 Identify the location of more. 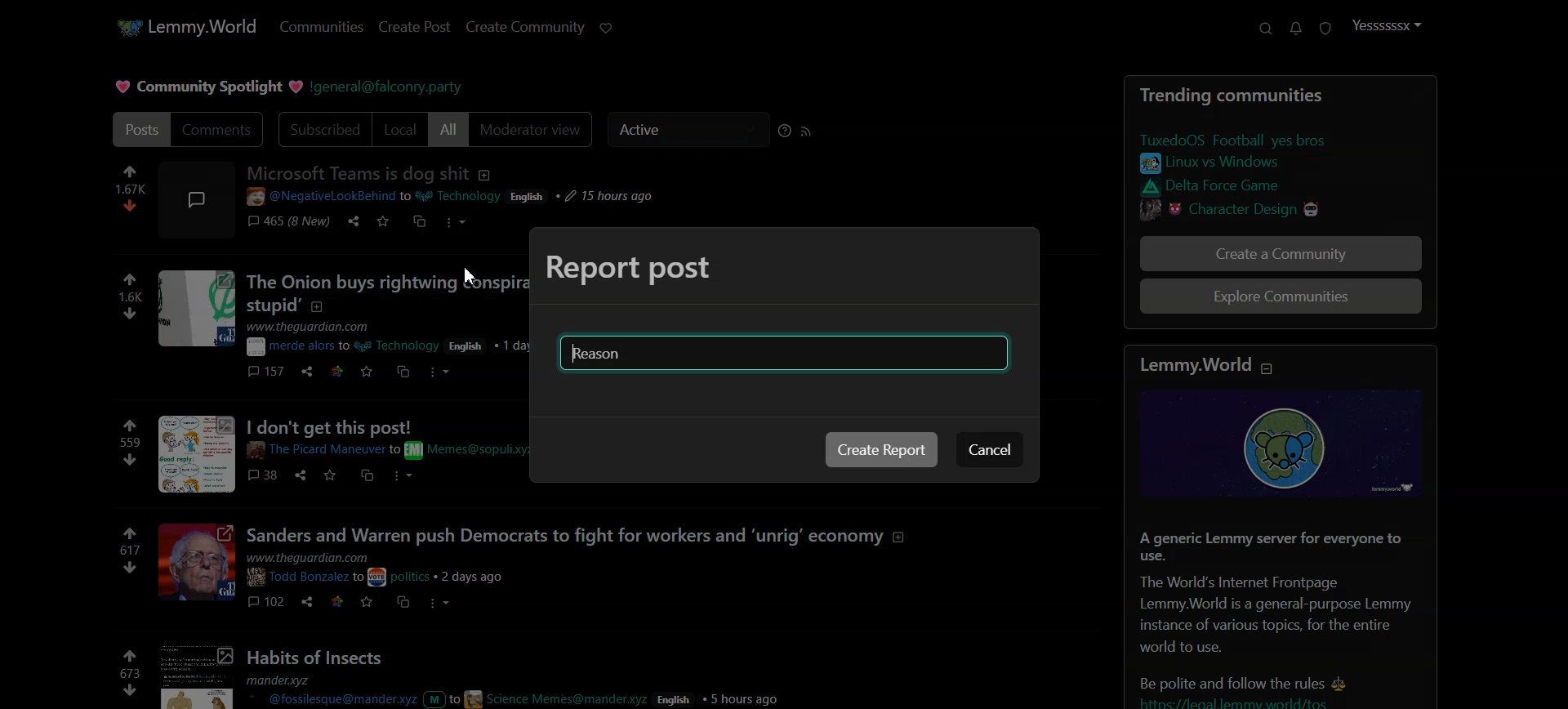
(443, 603).